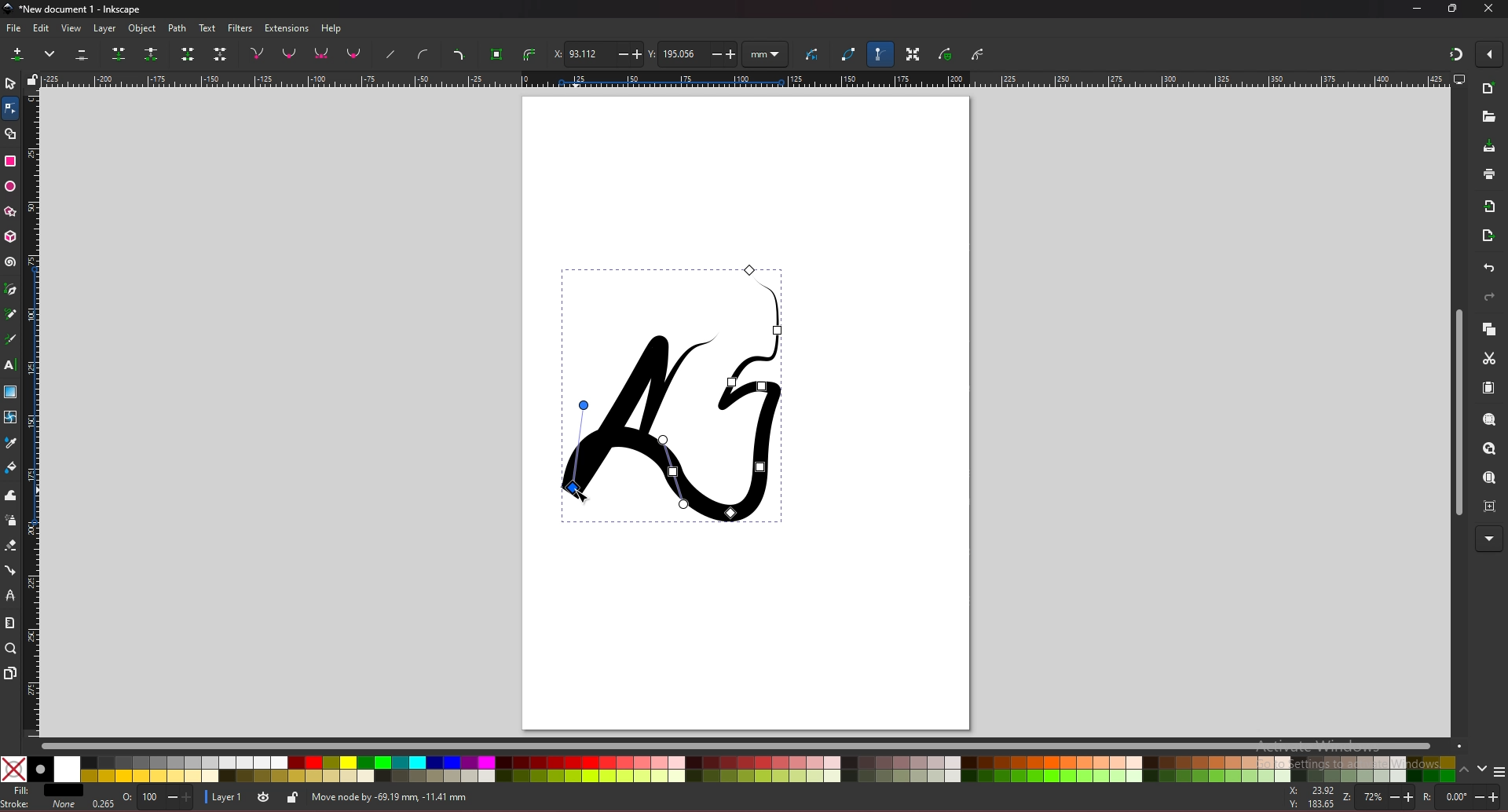 The width and height of the screenshot is (1508, 812). I want to click on zoom, so click(1377, 797).